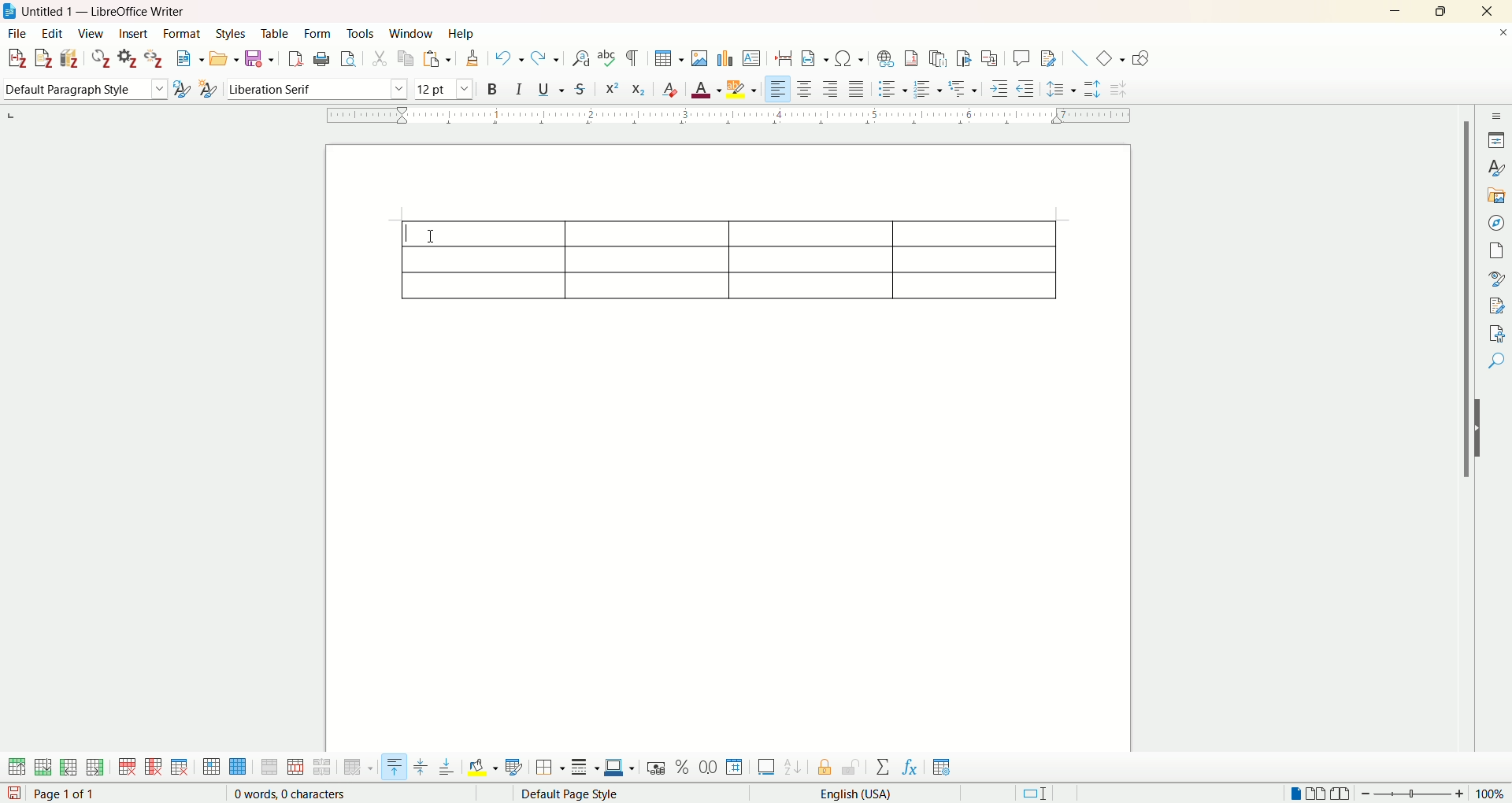 Image resolution: width=1512 pixels, height=803 pixels. I want to click on border style, so click(588, 769).